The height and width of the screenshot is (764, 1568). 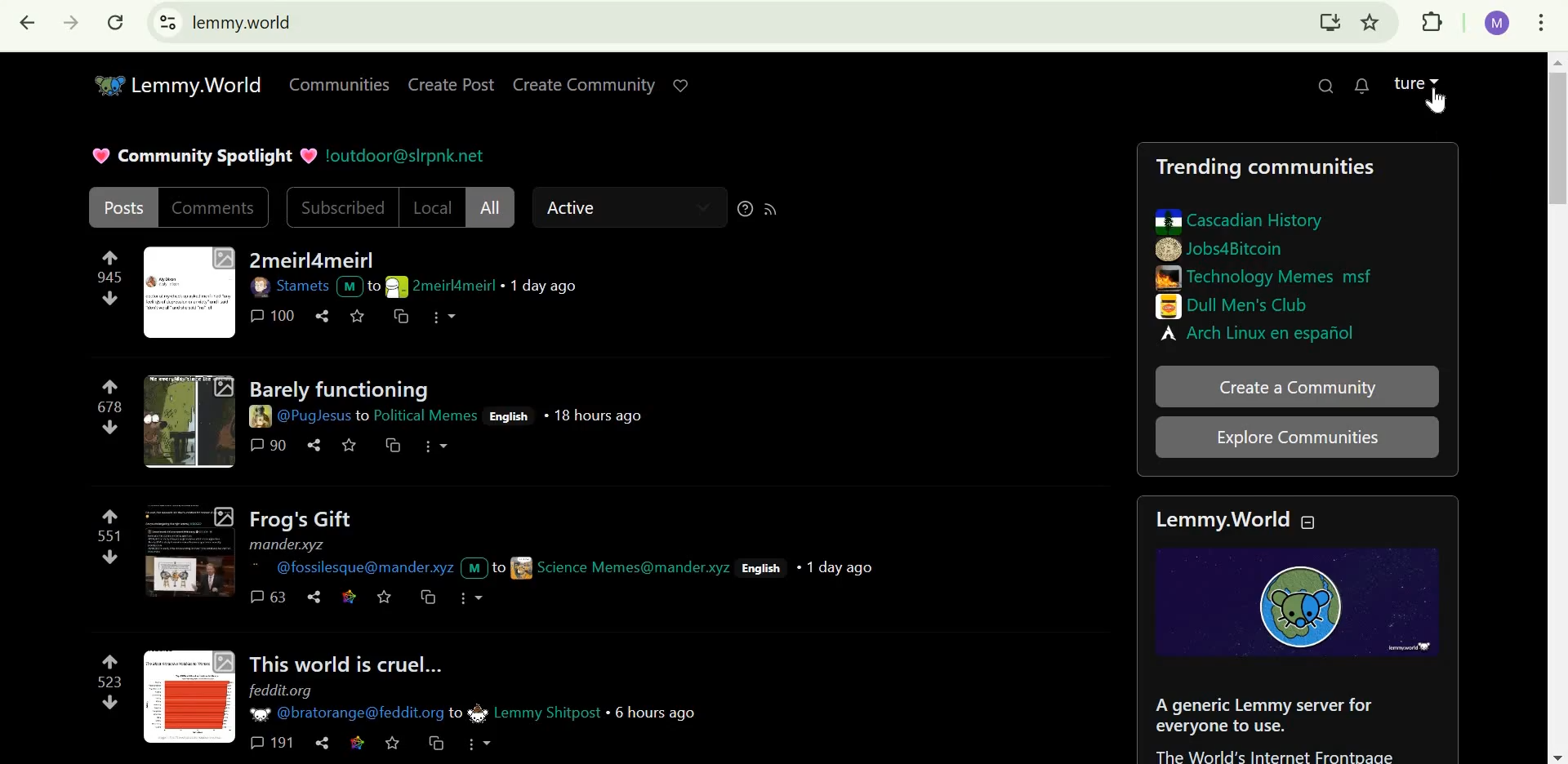 I want to click on more, so click(x=450, y=317).